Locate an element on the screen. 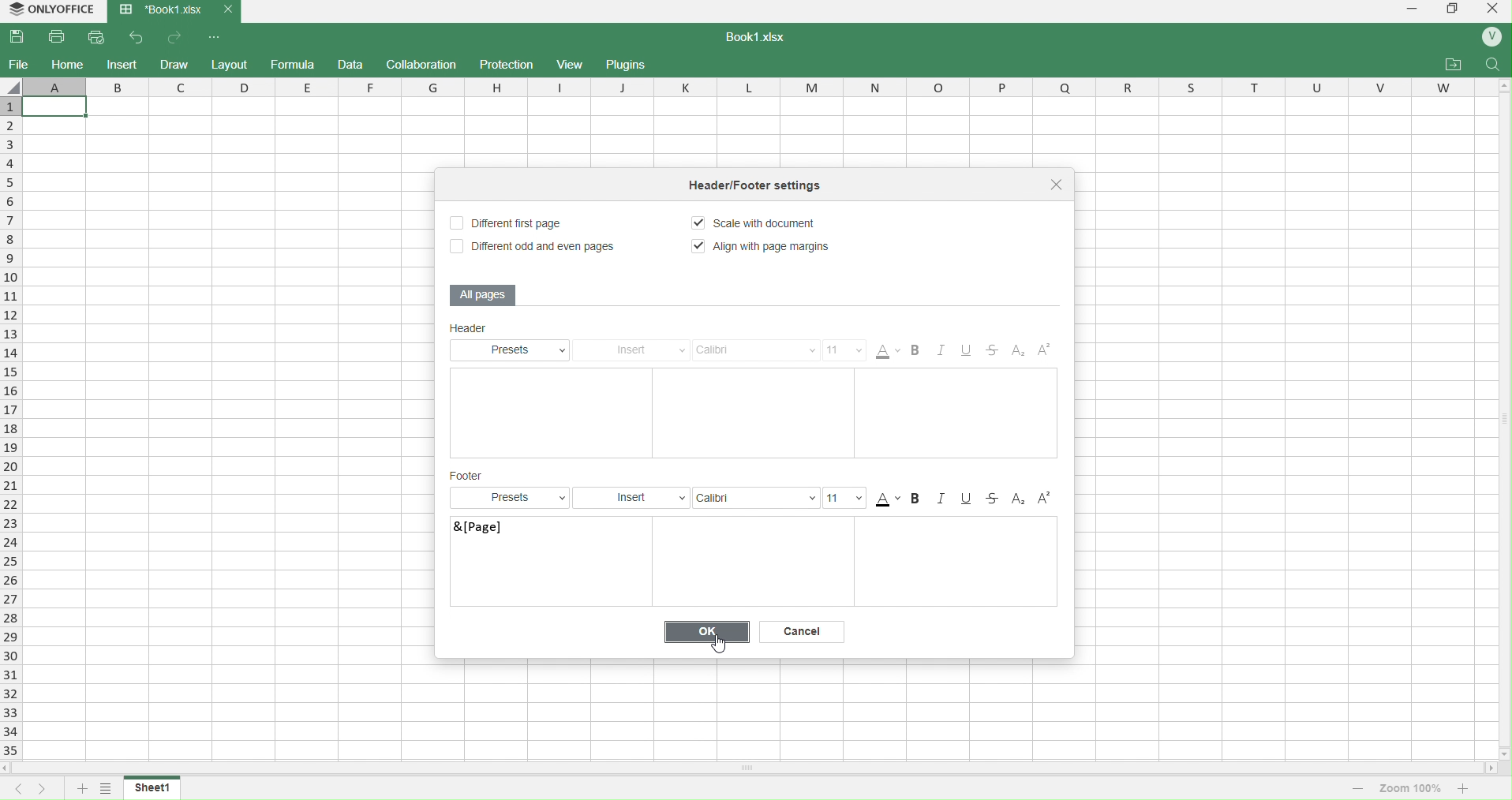 This screenshot has height=800, width=1512. Italic is located at coordinates (945, 499).